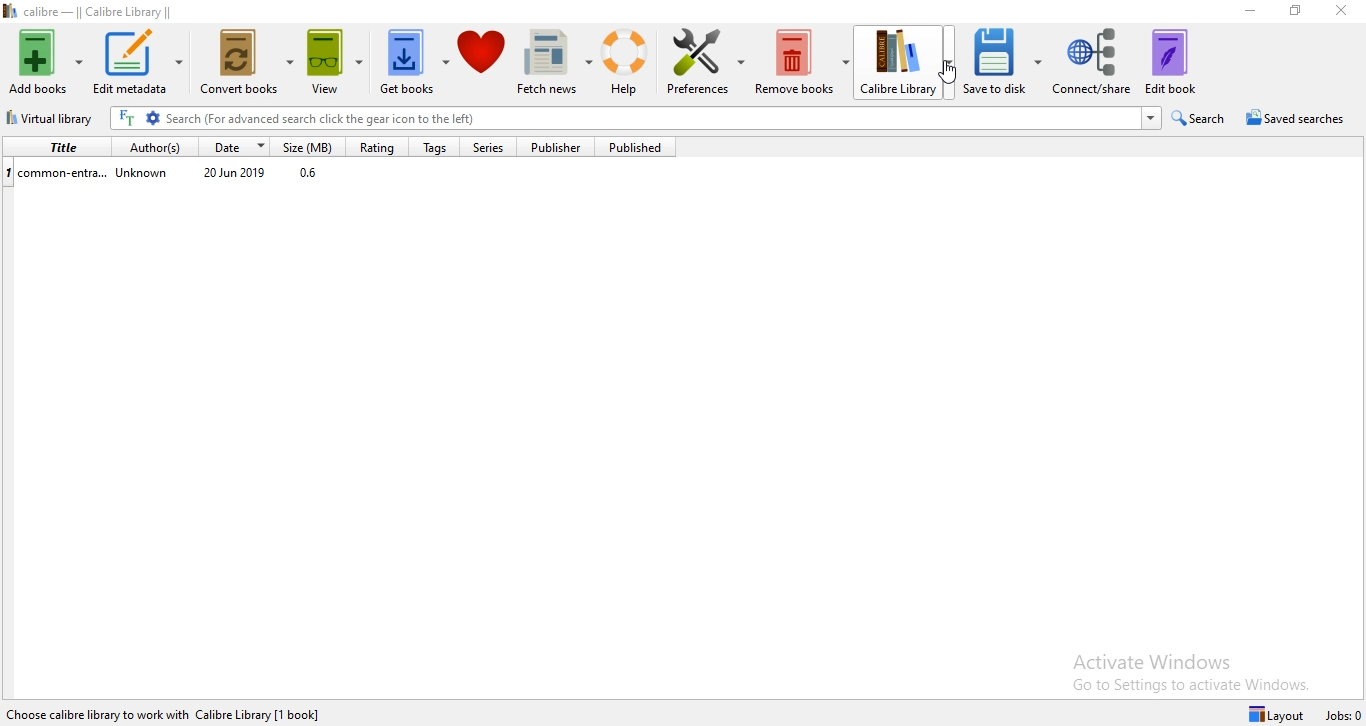  What do you see at coordinates (127, 118) in the screenshot?
I see `Search the full text of all books in the library, not just their metadata` at bounding box center [127, 118].